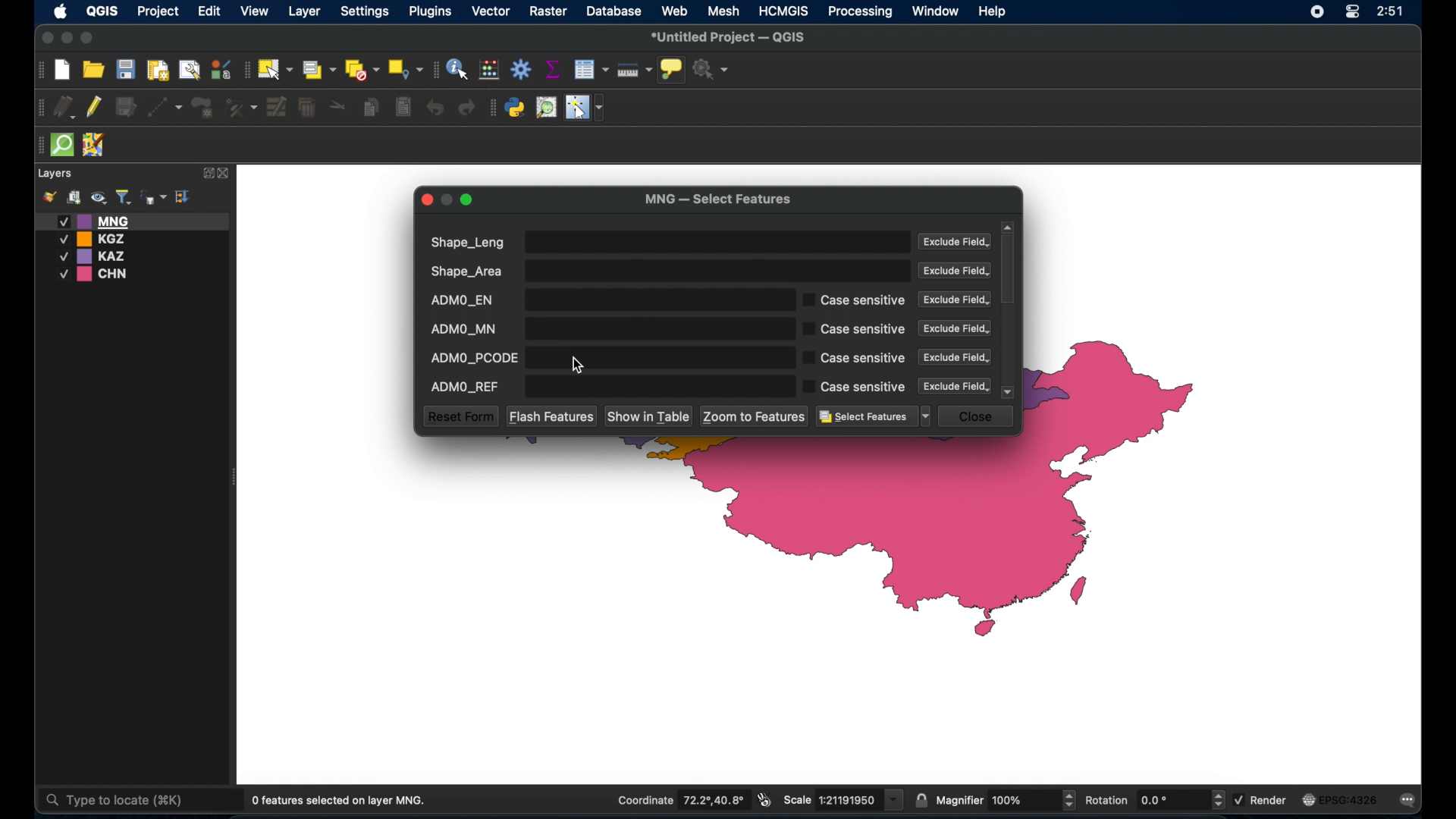  I want to click on reset form, so click(460, 416).